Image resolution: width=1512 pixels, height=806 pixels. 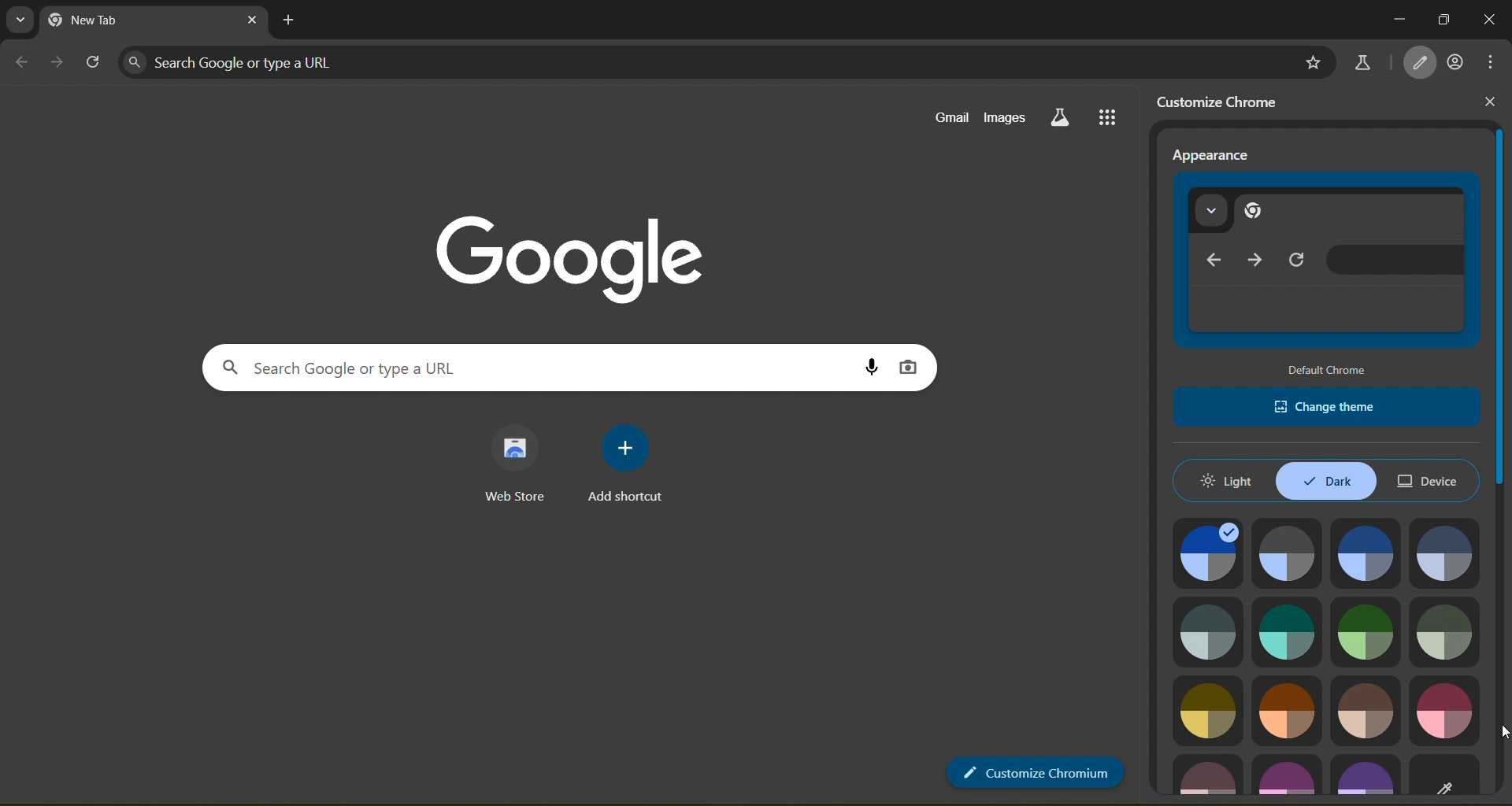 I want to click on image, so click(x=1366, y=711).